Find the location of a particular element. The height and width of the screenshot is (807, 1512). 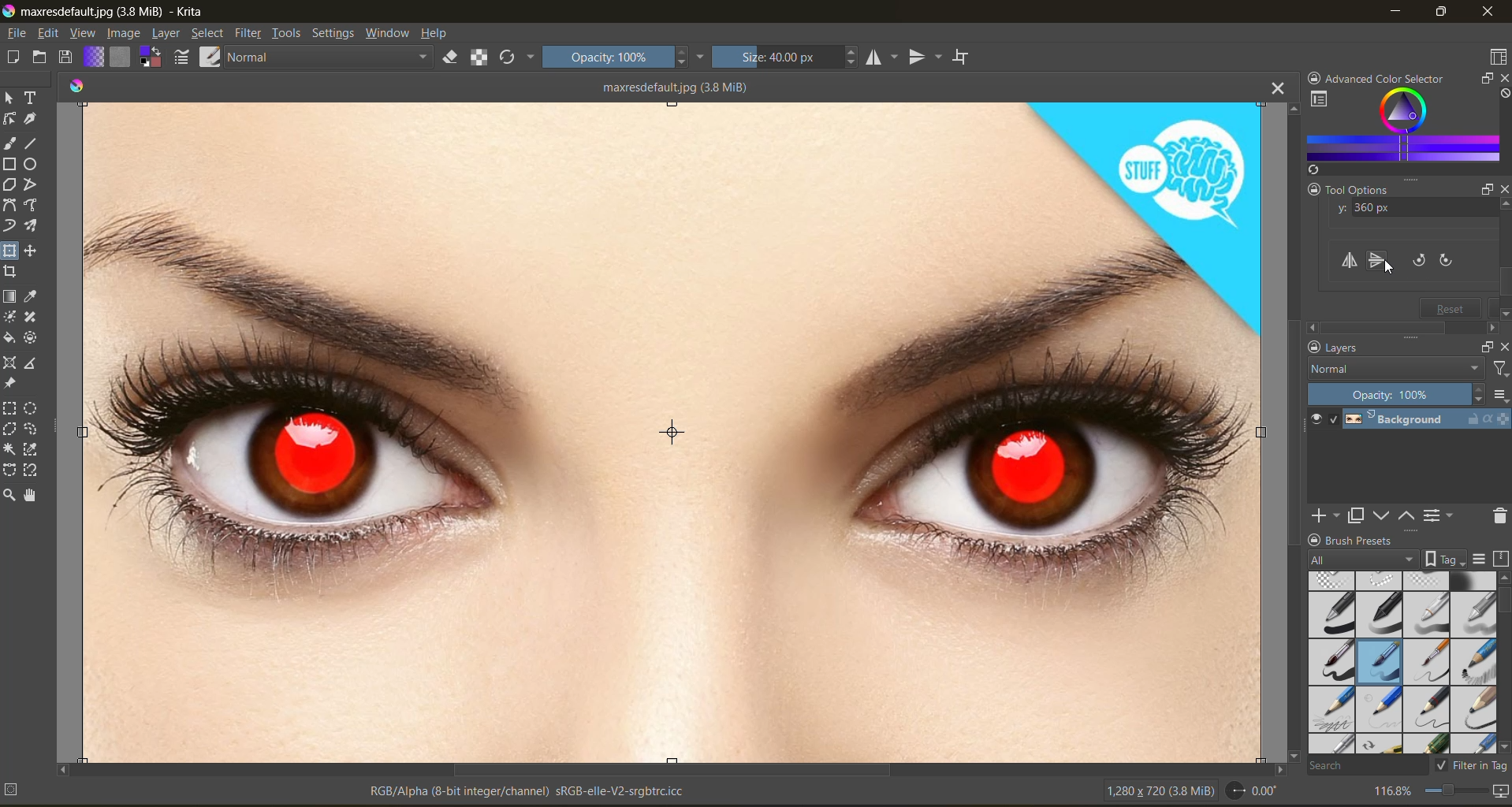

filter is located at coordinates (251, 32).